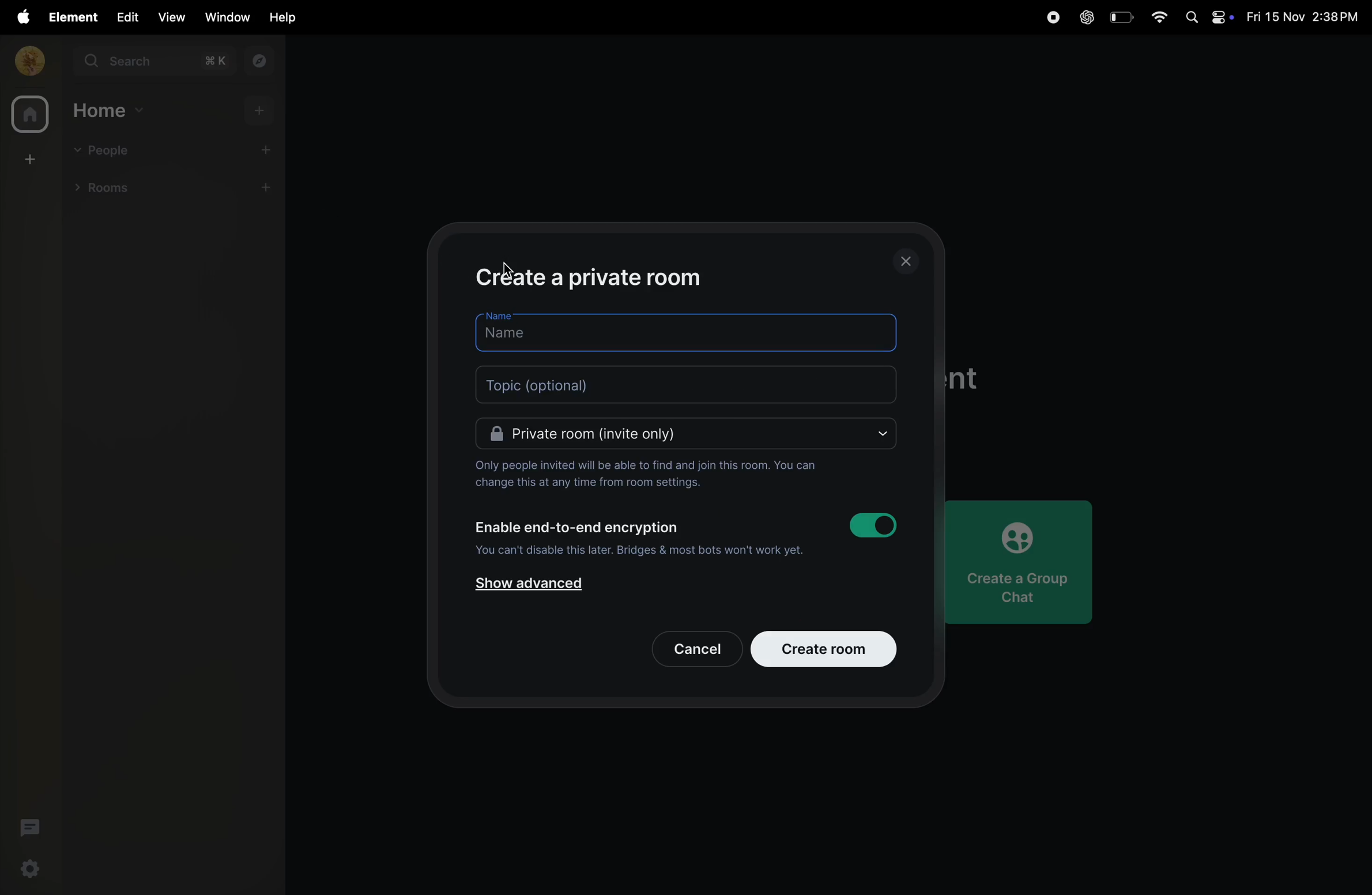  Describe the element at coordinates (1208, 16) in the screenshot. I see `apple widgets` at that location.